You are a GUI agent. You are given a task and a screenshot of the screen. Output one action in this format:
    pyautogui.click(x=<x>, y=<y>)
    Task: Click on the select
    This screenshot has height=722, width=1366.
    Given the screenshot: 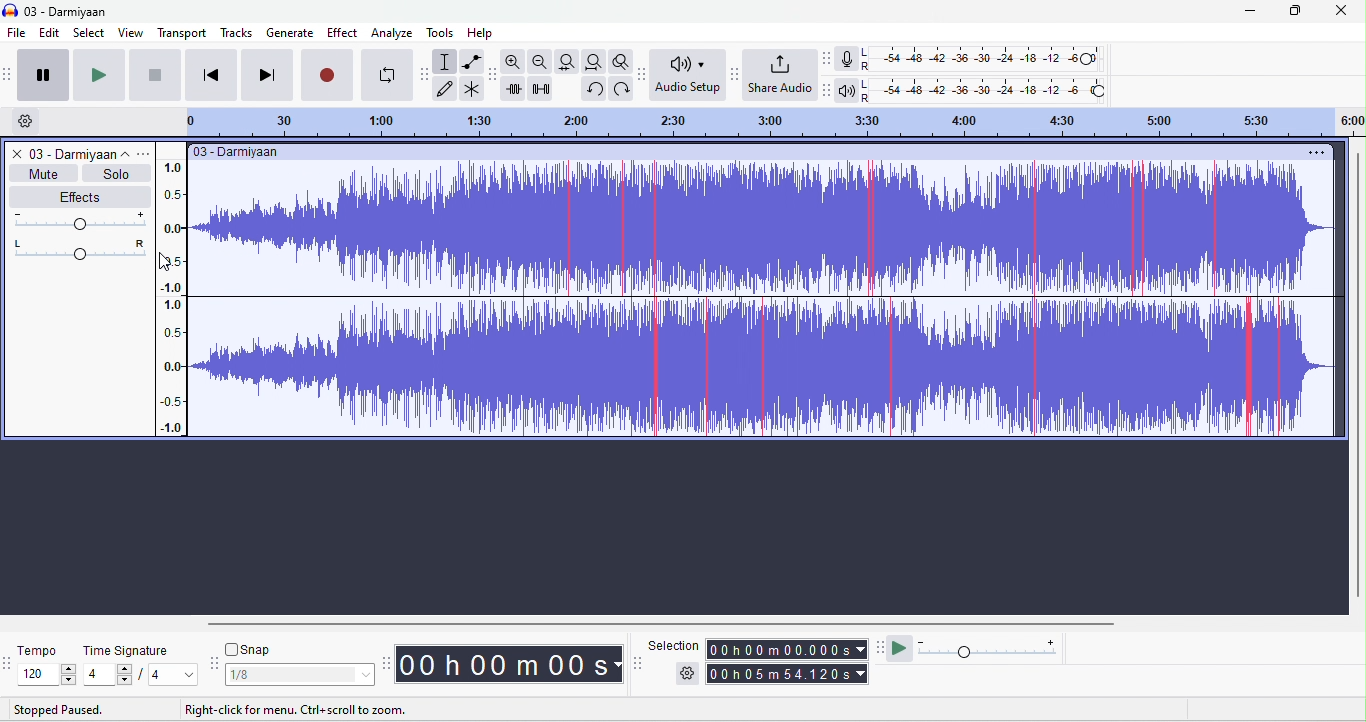 What is the action you would take?
    pyautogui.click(x=88, y=34)
    